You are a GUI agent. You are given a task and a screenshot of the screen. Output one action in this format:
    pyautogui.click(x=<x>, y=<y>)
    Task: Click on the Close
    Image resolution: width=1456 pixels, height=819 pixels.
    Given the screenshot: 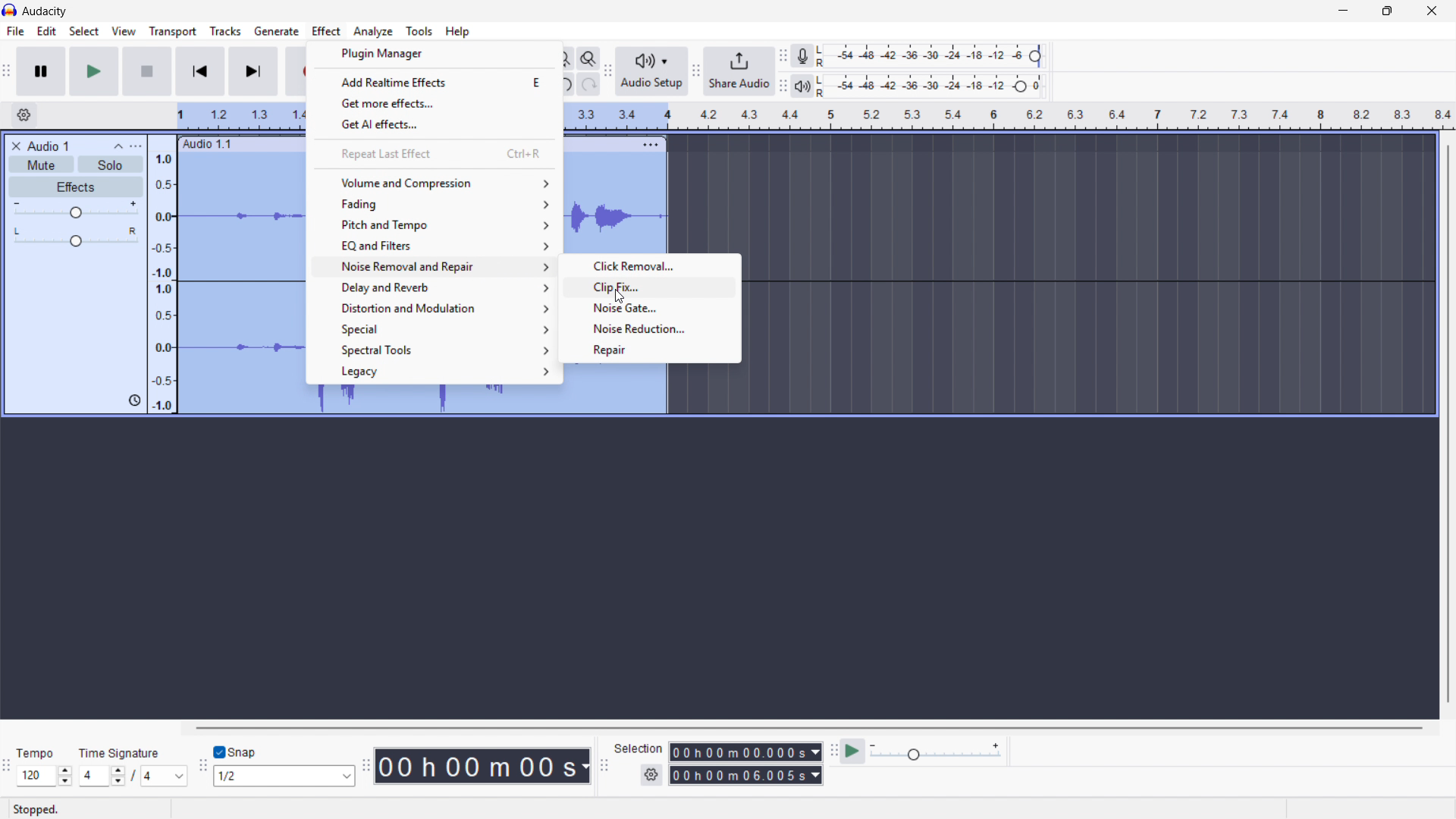 What is the action you would take?
    pyautogui.click(x=1432, y=11)
    